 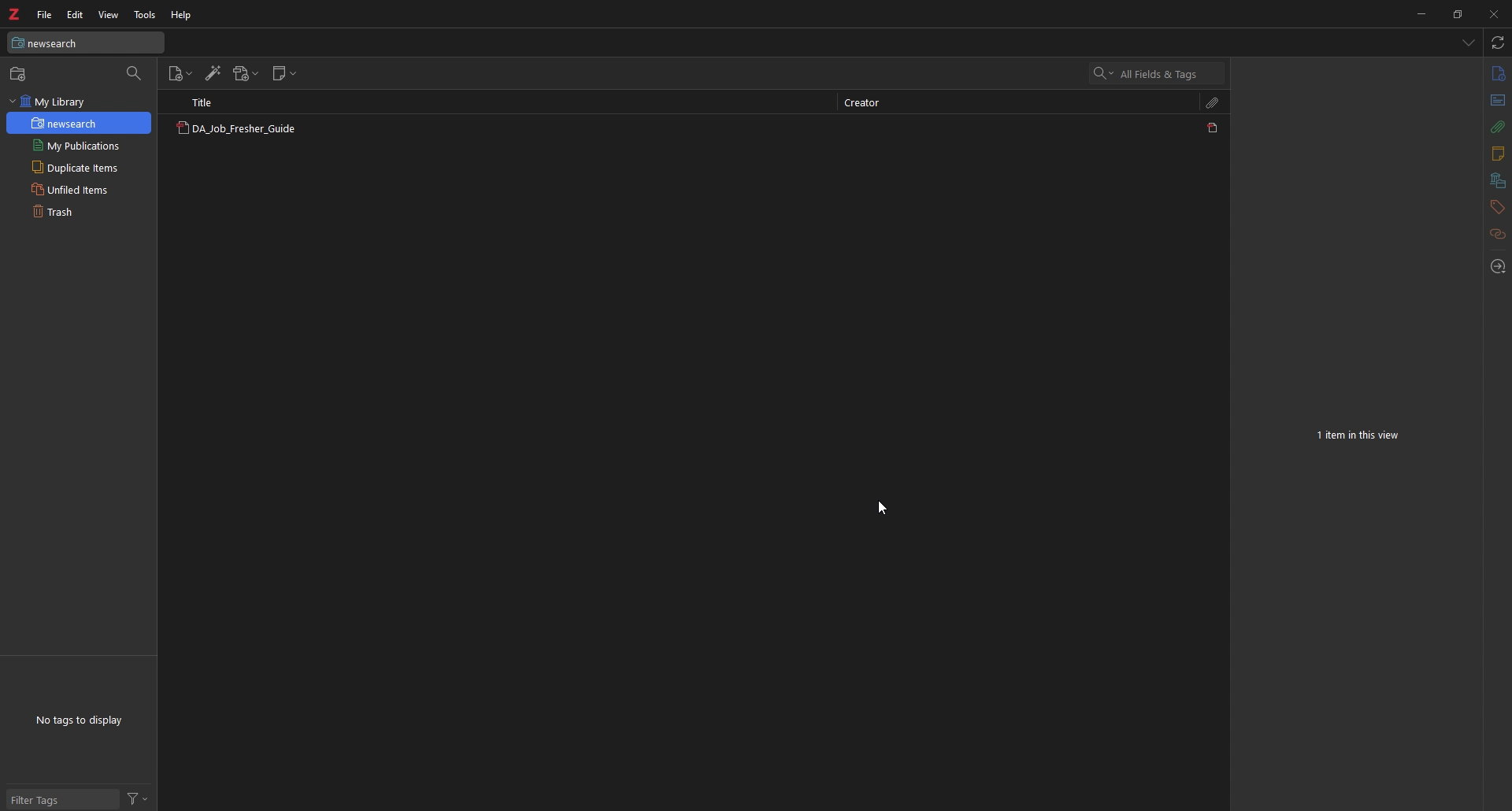 What do you see at coordinates (79, 102) in the screenshot?
I see `my library` at bounding box center [79, 102].